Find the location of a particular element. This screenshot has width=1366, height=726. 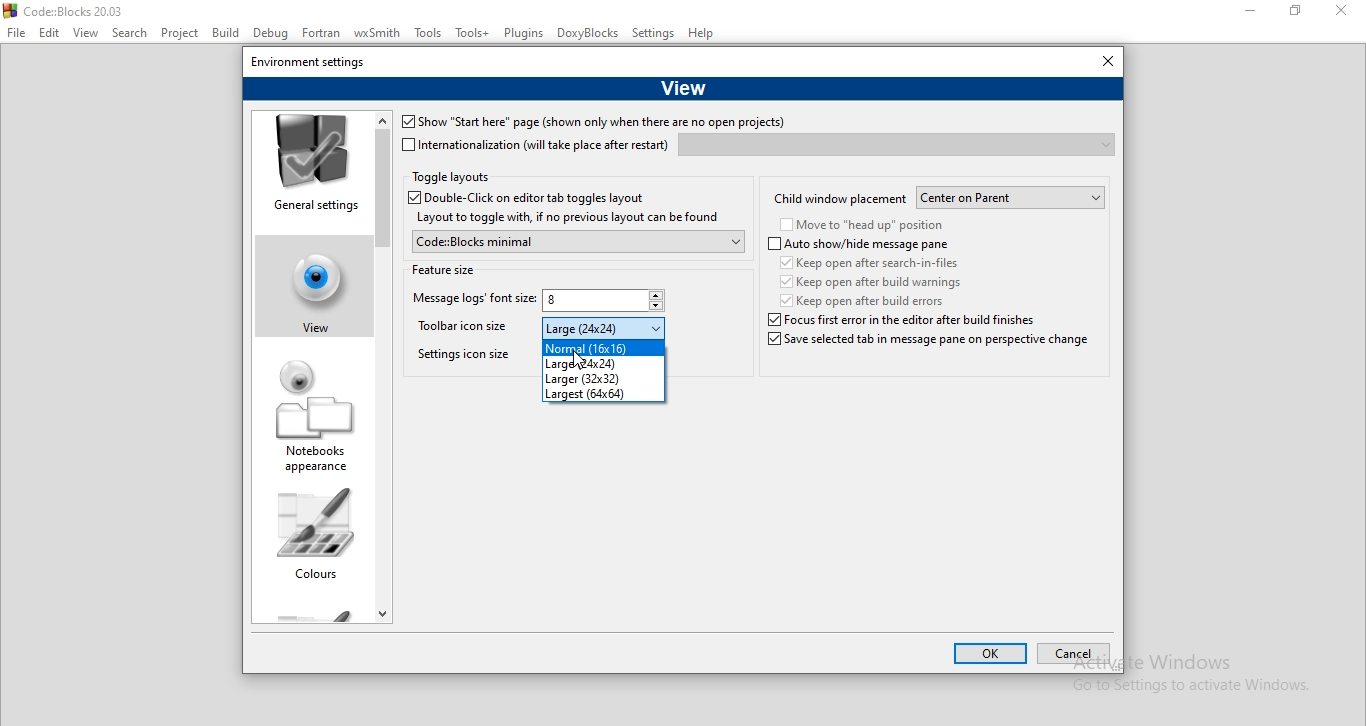

View is located at coordinates (86, 34).